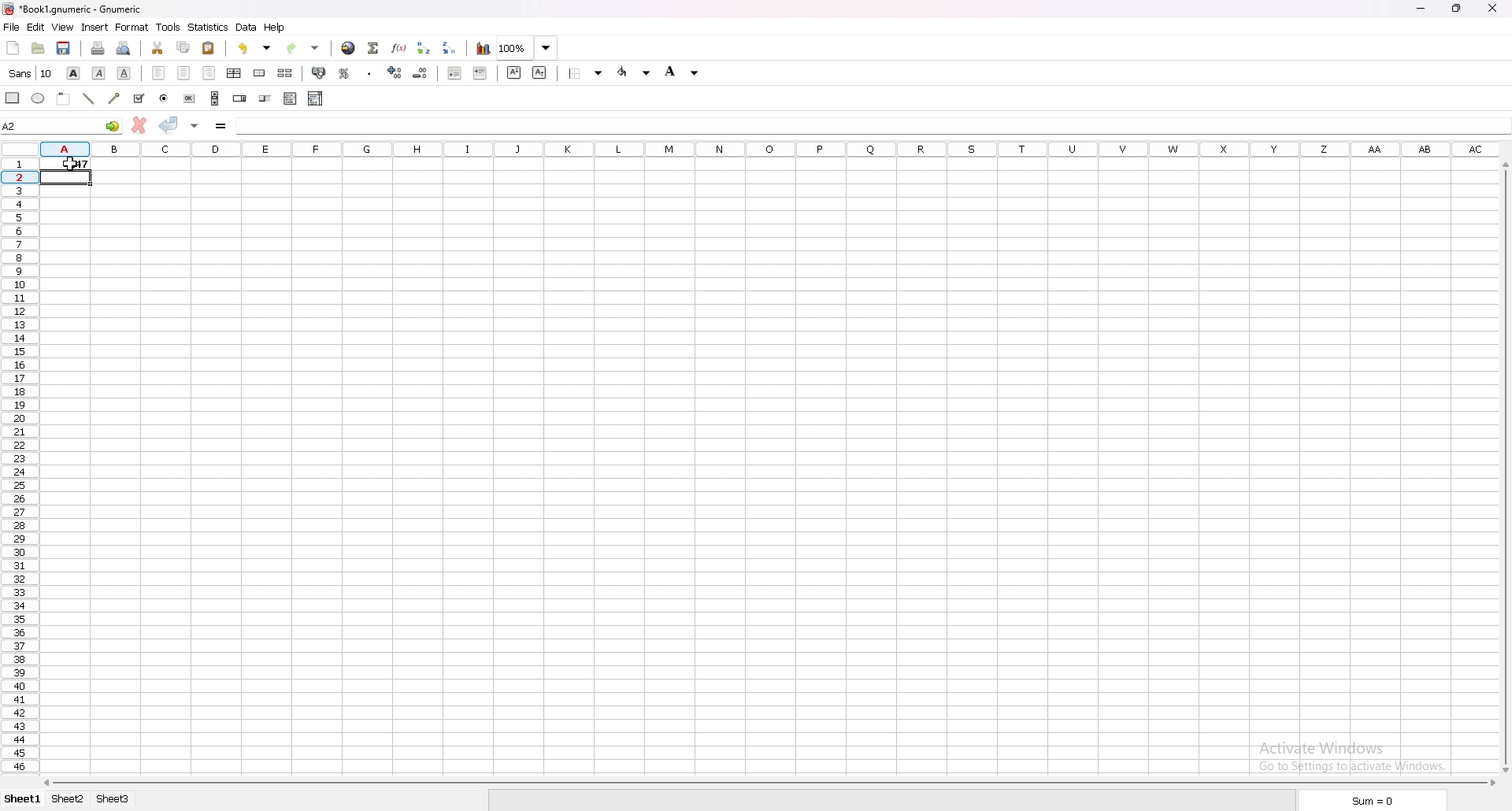  Describe the element at coordinates (69, 162) in the screenshot. I see `output` at that location.